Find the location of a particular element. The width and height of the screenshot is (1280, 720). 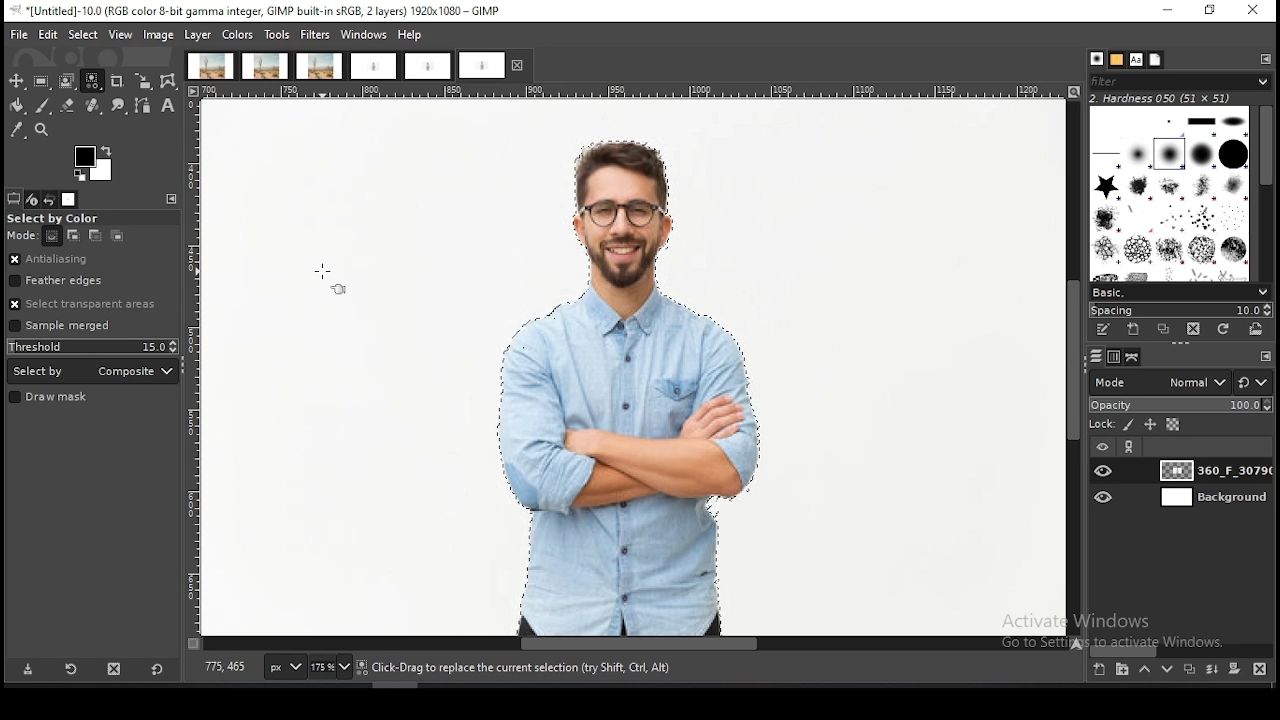

project tab is located at coordinates (428, 67).